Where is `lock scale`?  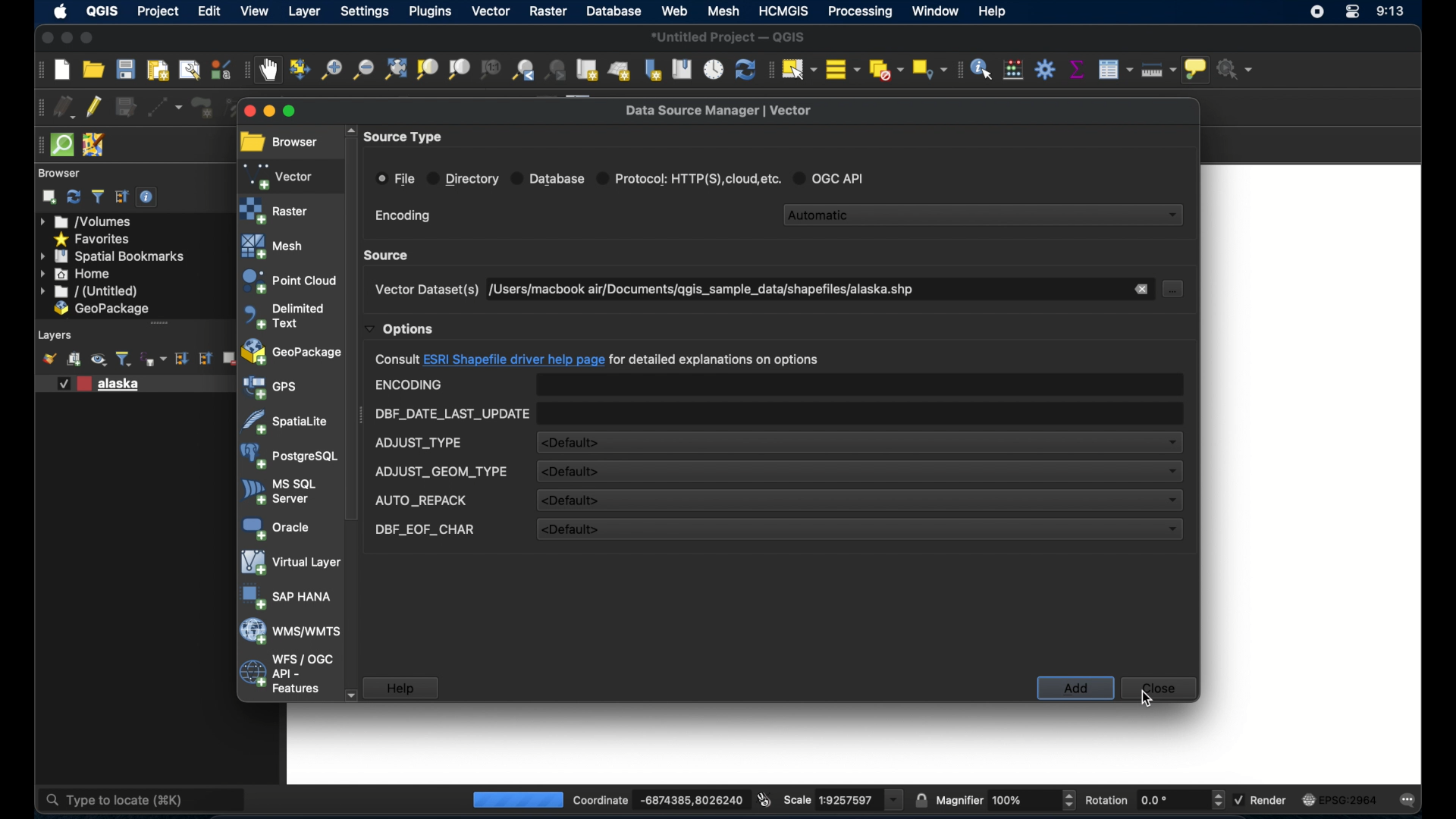
lock scale is located at coordinates (918, 799).